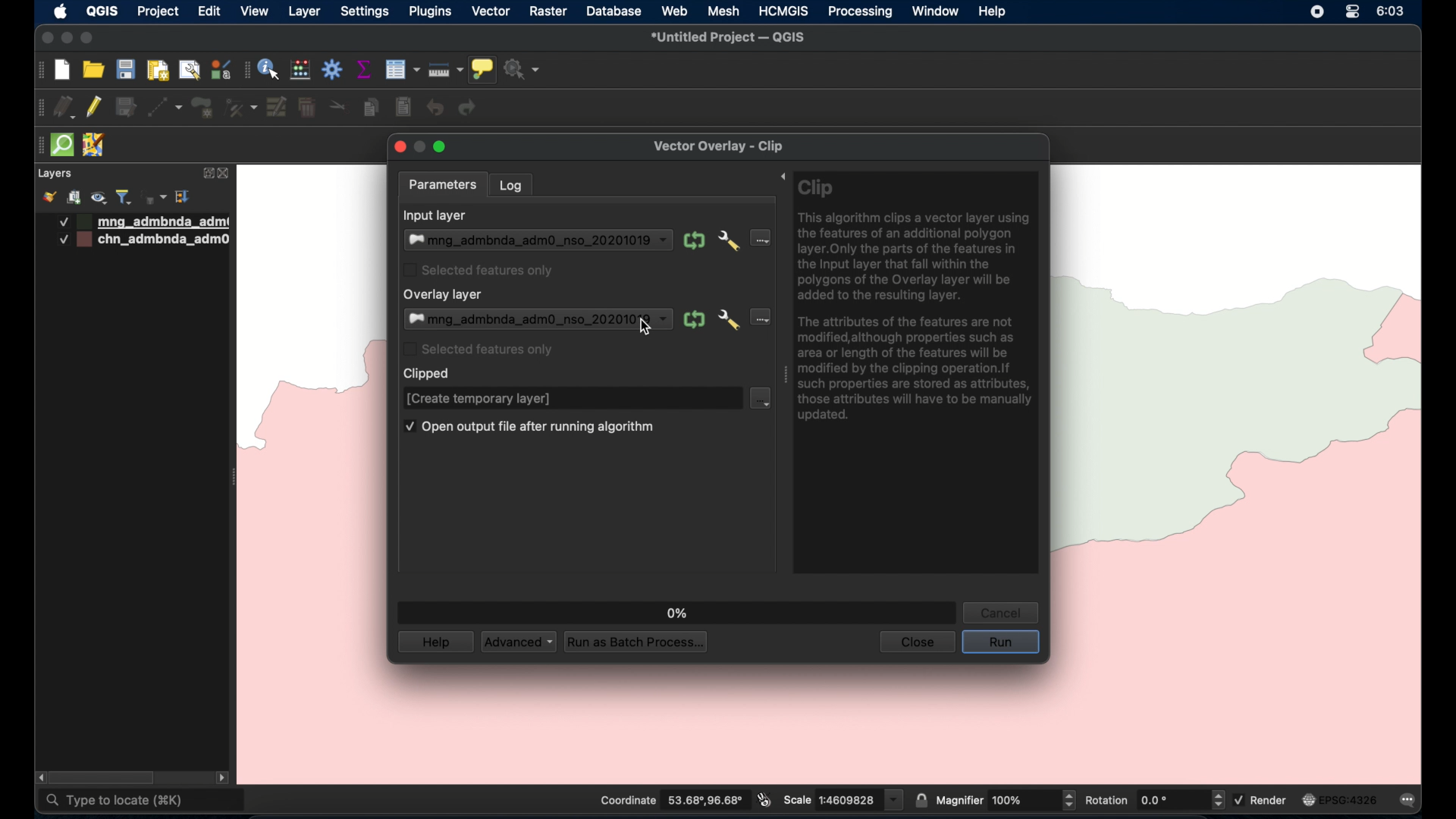 The image size is (1456, 819). What do you see at coordinates (63, 145) in the screenshot?
I see `quick osm` at bounding box center [63, 145].